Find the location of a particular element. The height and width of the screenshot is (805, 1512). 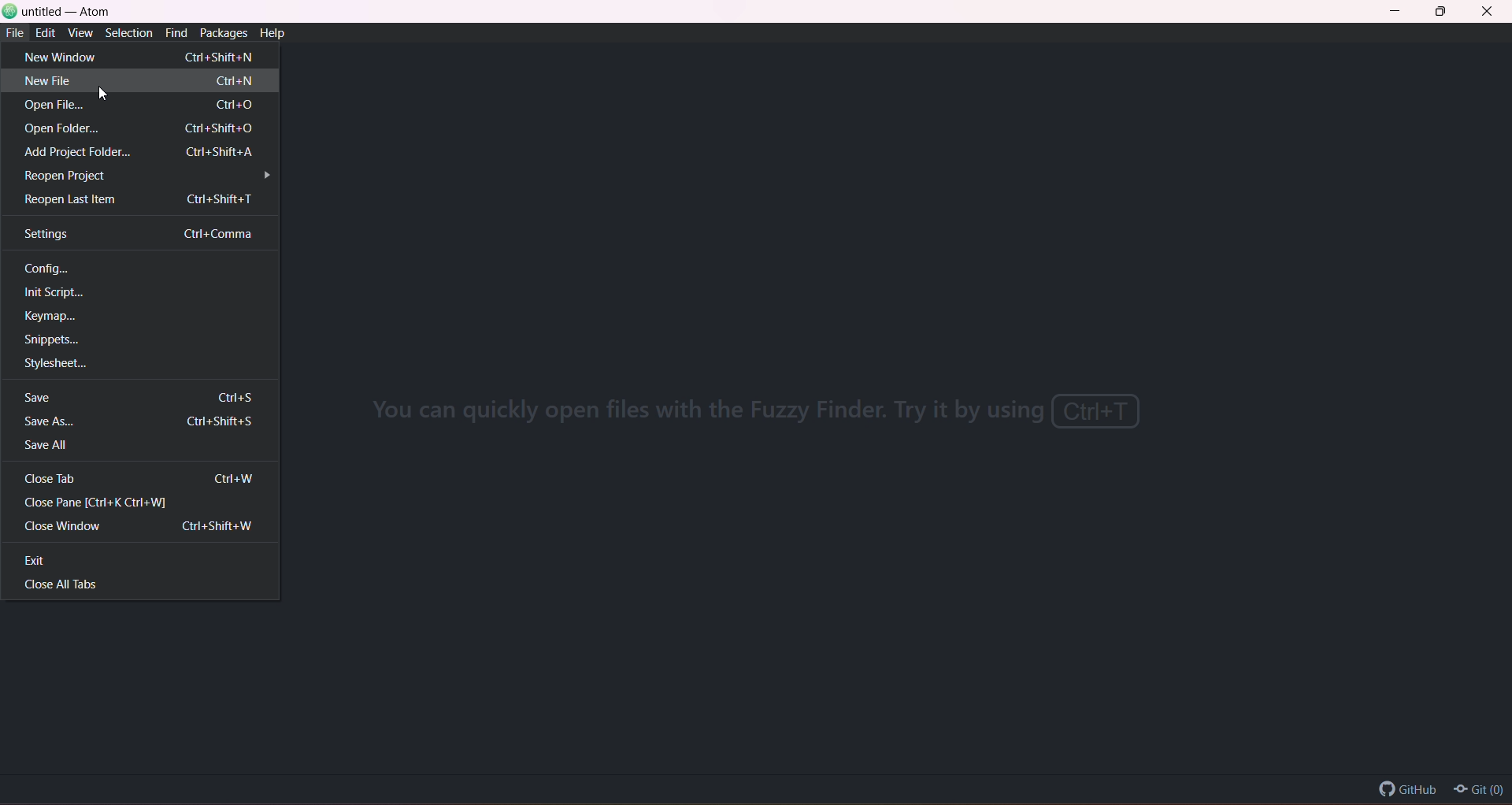

View is located at coordinates (80, 33).